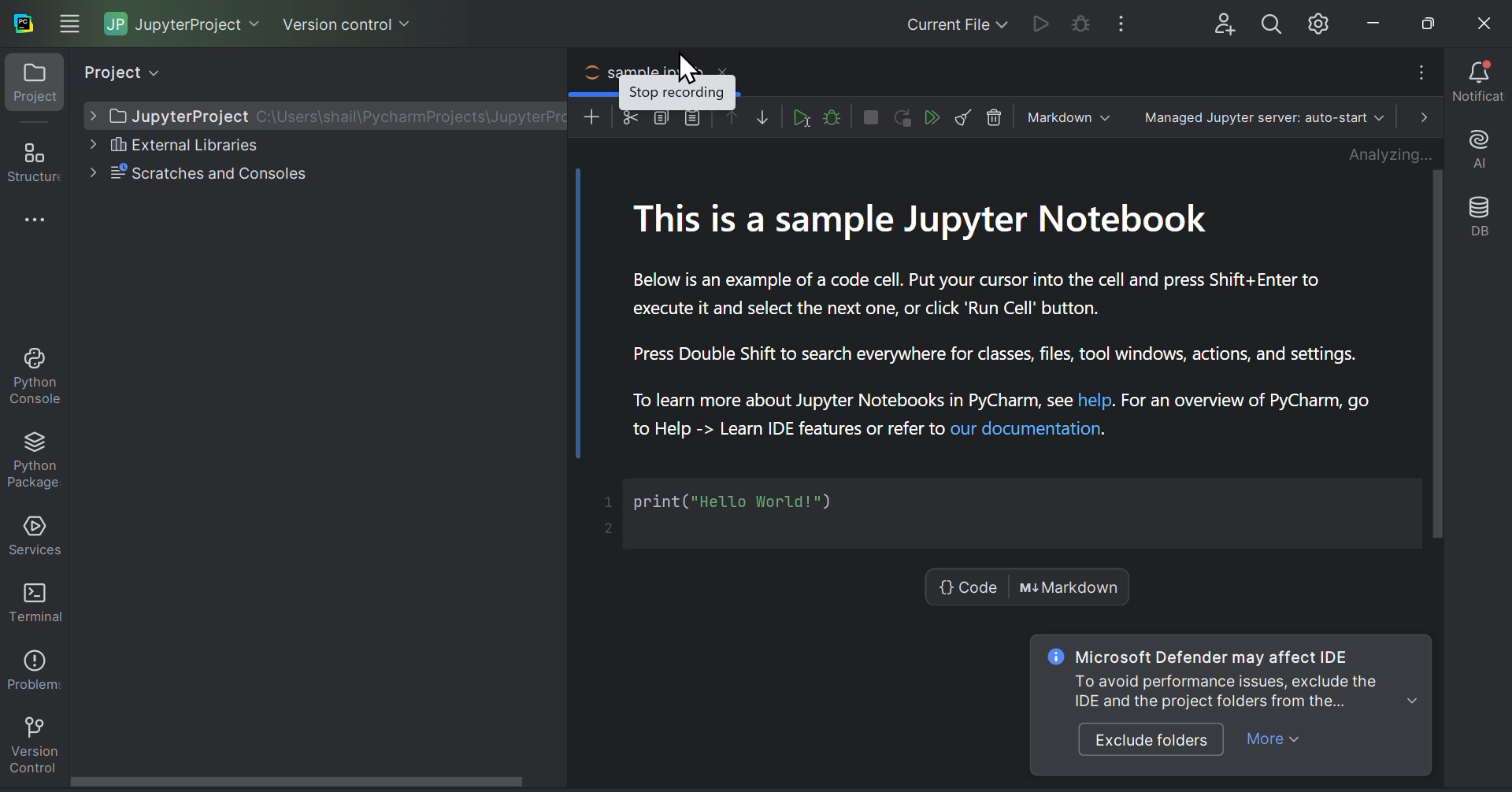 The height and width of the screenshot is (792, 1512). I want to click on Jupiter project, so click(178, 23).